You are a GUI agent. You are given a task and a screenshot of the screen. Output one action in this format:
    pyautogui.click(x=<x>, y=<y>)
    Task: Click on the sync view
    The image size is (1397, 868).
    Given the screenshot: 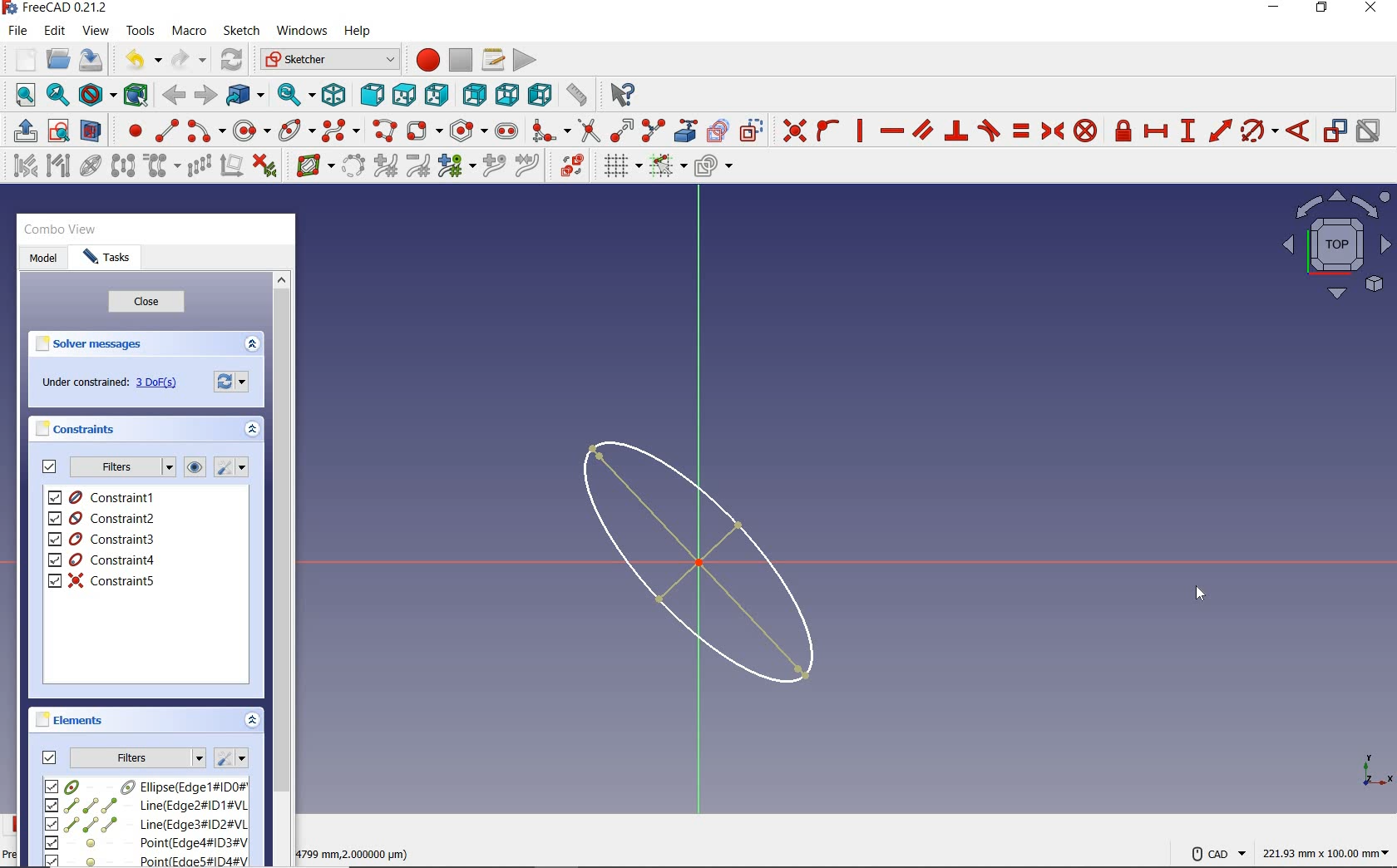 What is the action you would take?
    pyautogui.click(x=297, y=95)
    